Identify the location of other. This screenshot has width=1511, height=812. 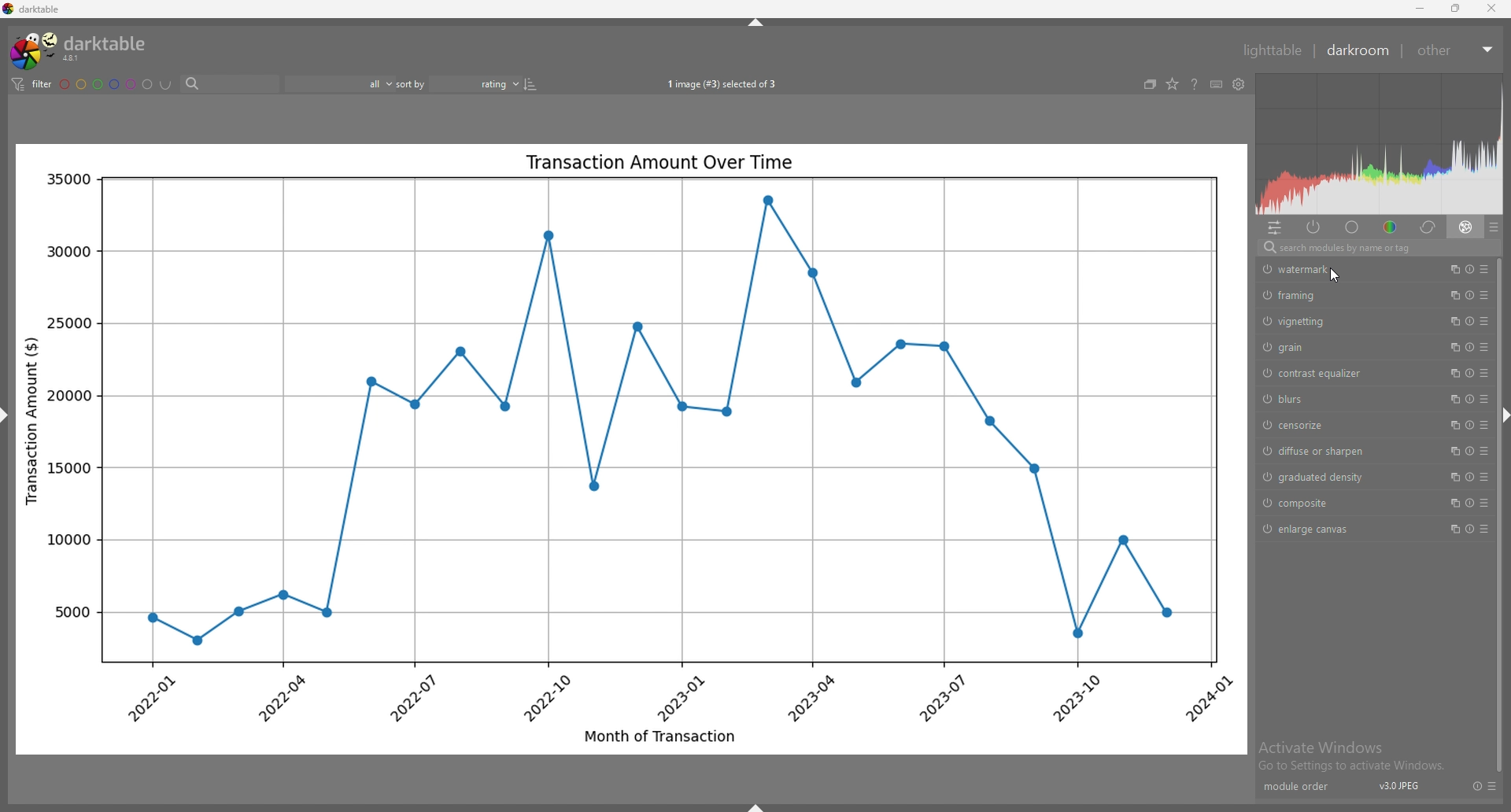
(1457, 50).